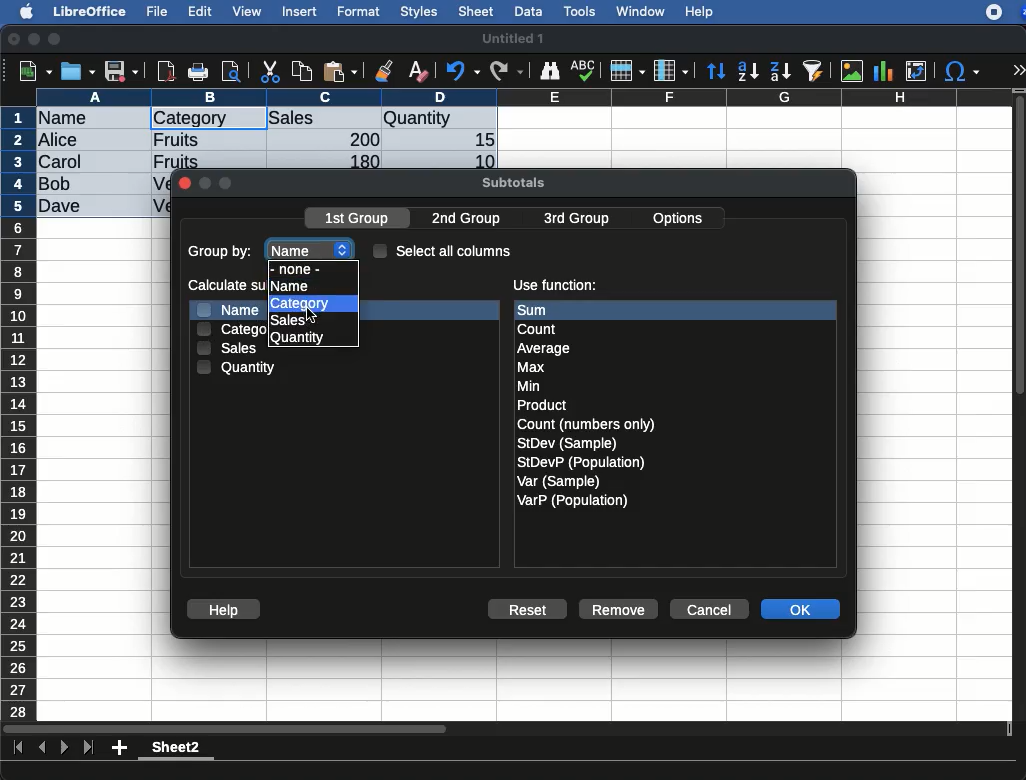  I want to click on help, so click(224, 610).